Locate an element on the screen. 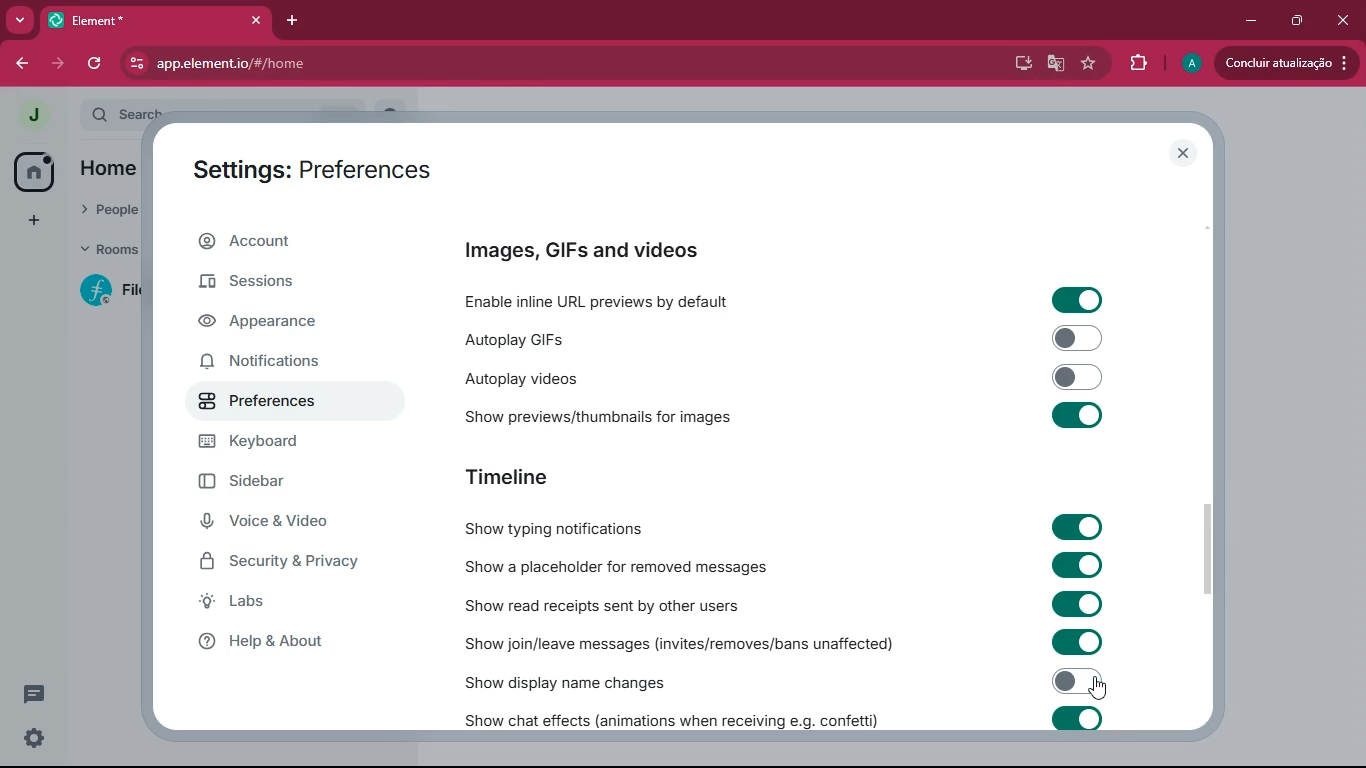 This screenshot has height=768, width=1366. security & privacy is located at coordinates (283, 562).